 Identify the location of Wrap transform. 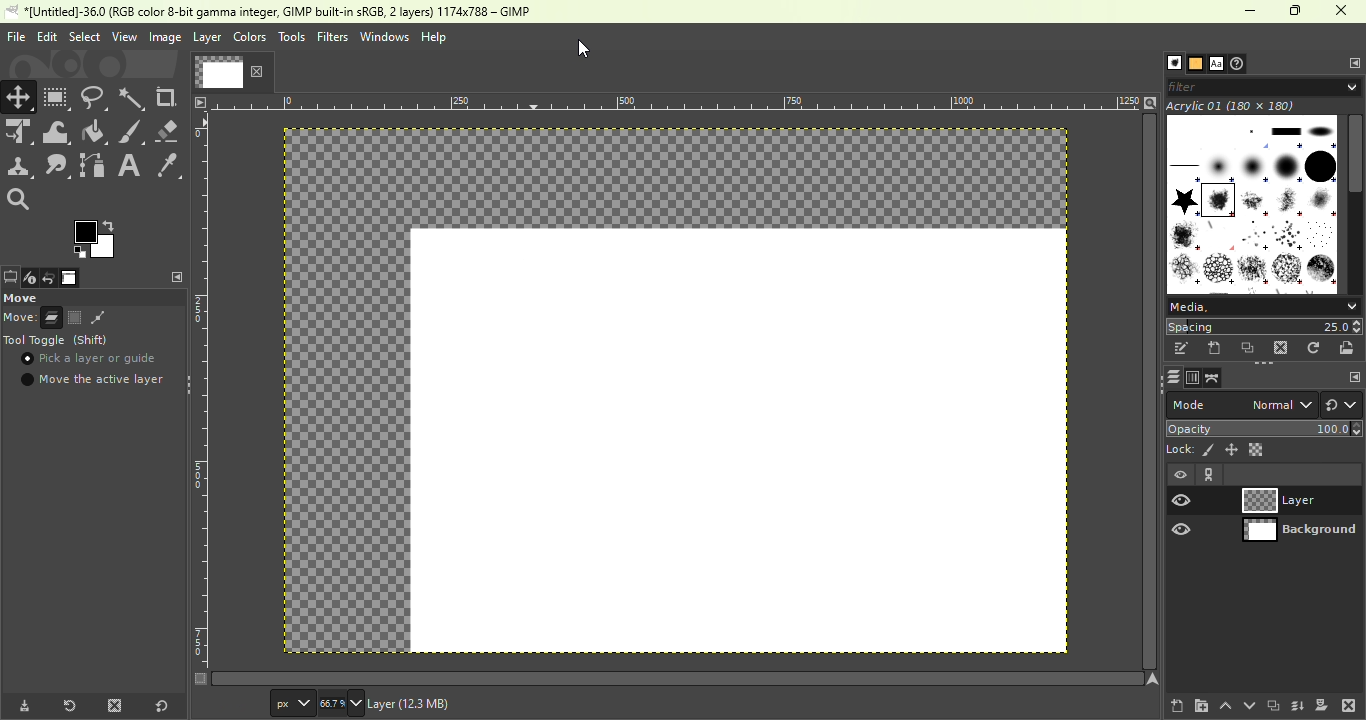
(56, 132).